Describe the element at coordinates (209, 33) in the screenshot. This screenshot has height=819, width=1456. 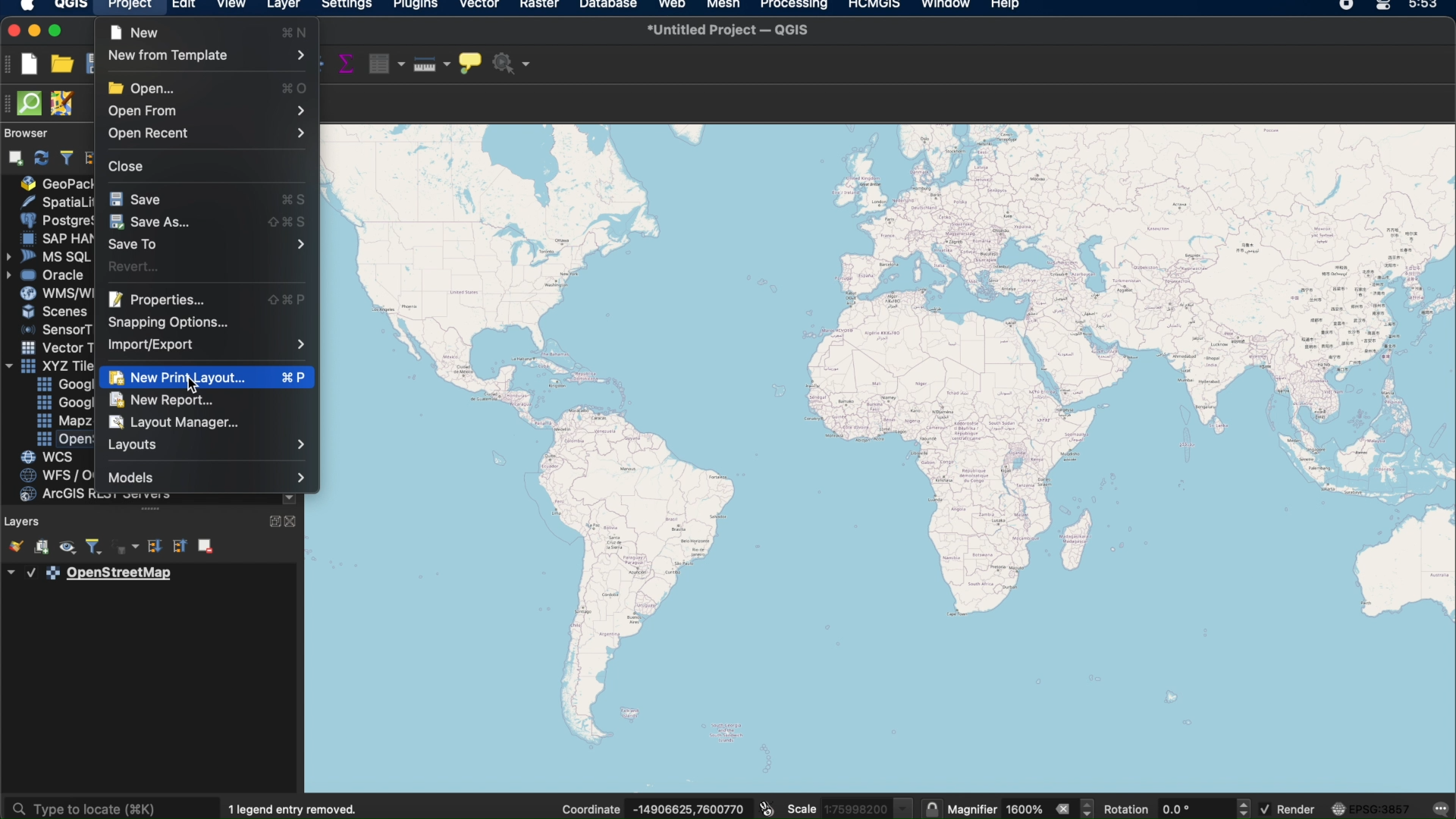
I see `new` at that location.